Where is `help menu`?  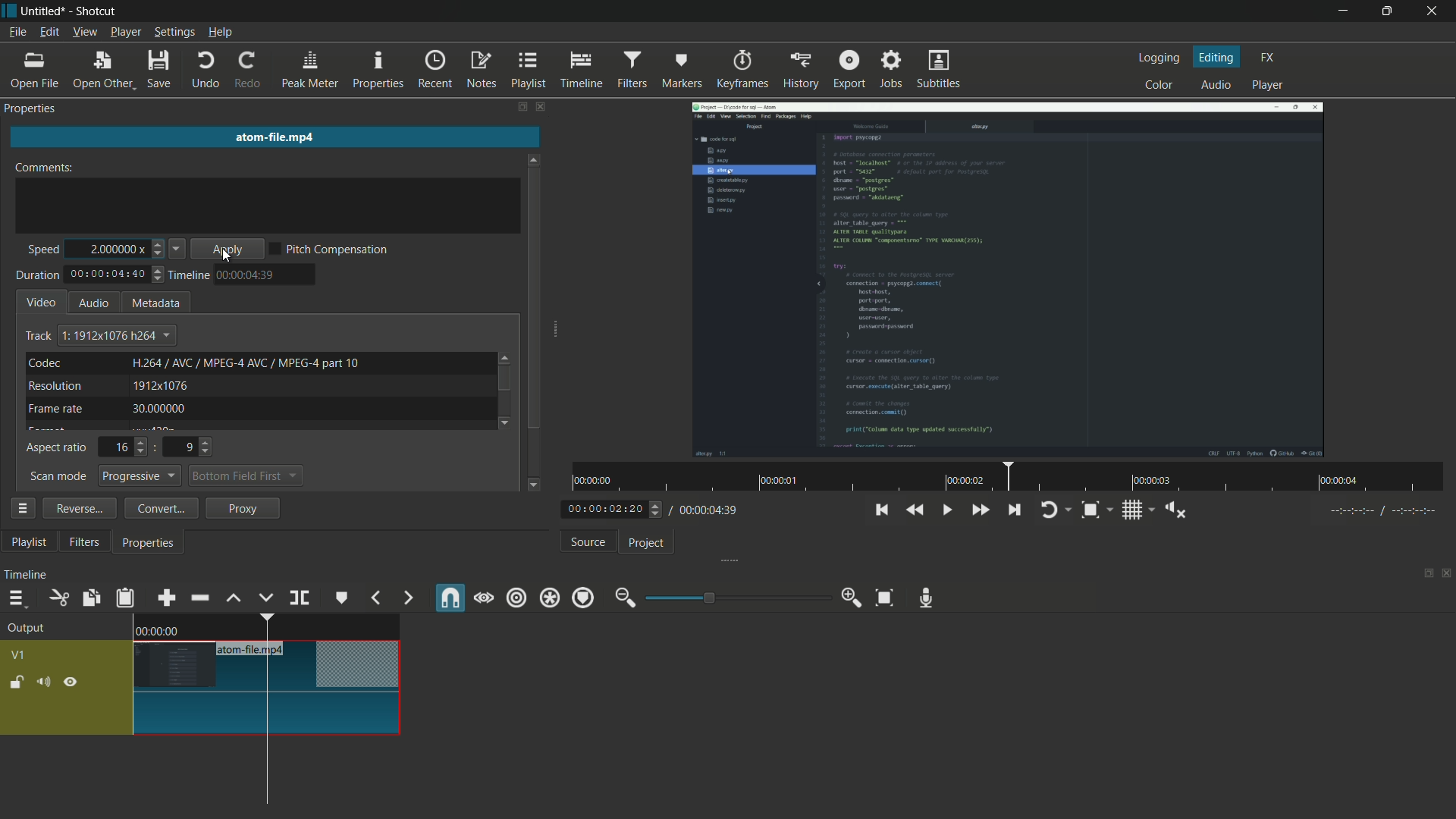
help menu is located at coordinates (221, 32).